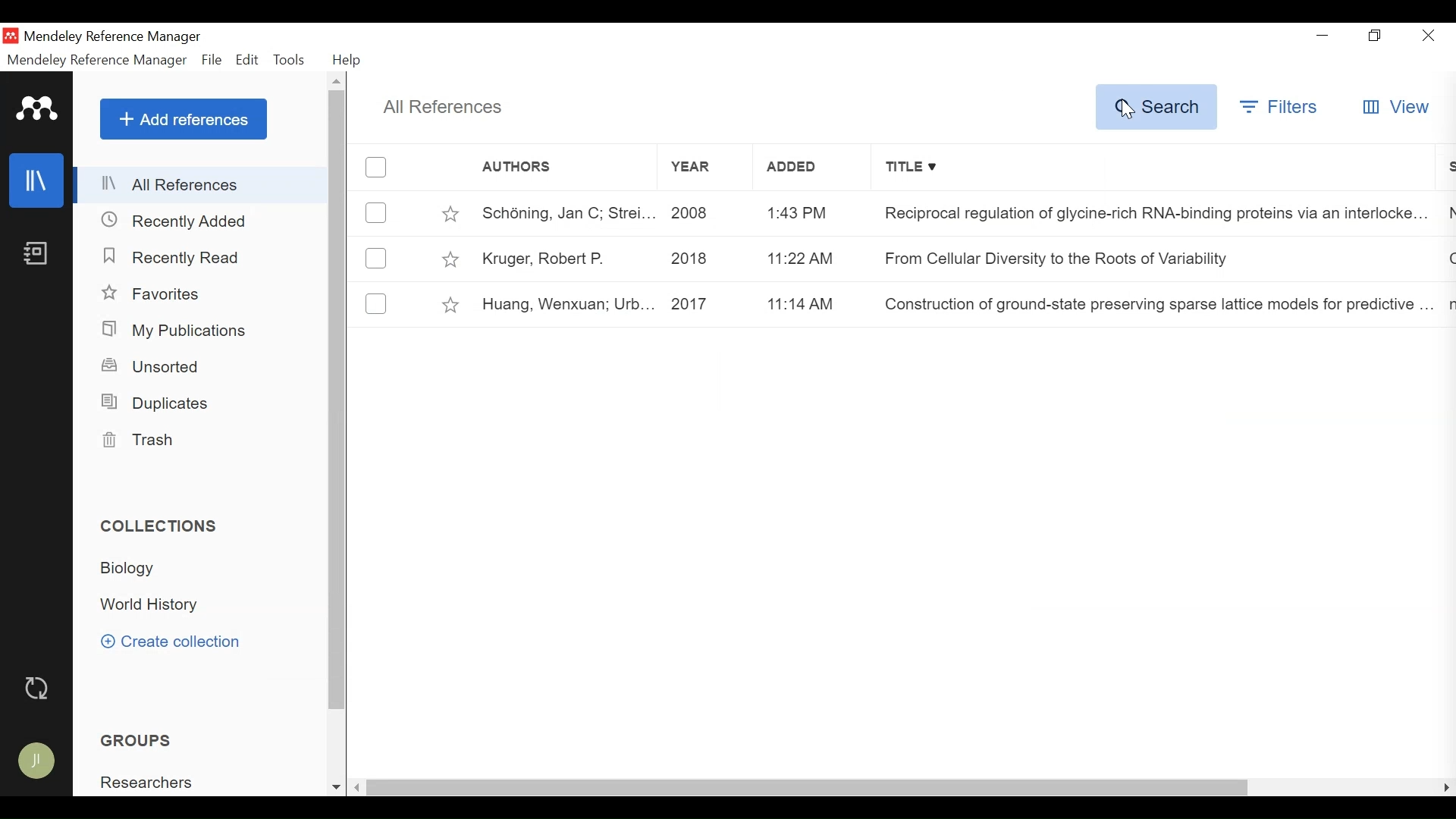 Image resolution: width=1456 pixels, height=819 pixels. What do you see at coordinates (292, 61) in the screenshot?
I see `Tools` at bounding box center [292, 61].